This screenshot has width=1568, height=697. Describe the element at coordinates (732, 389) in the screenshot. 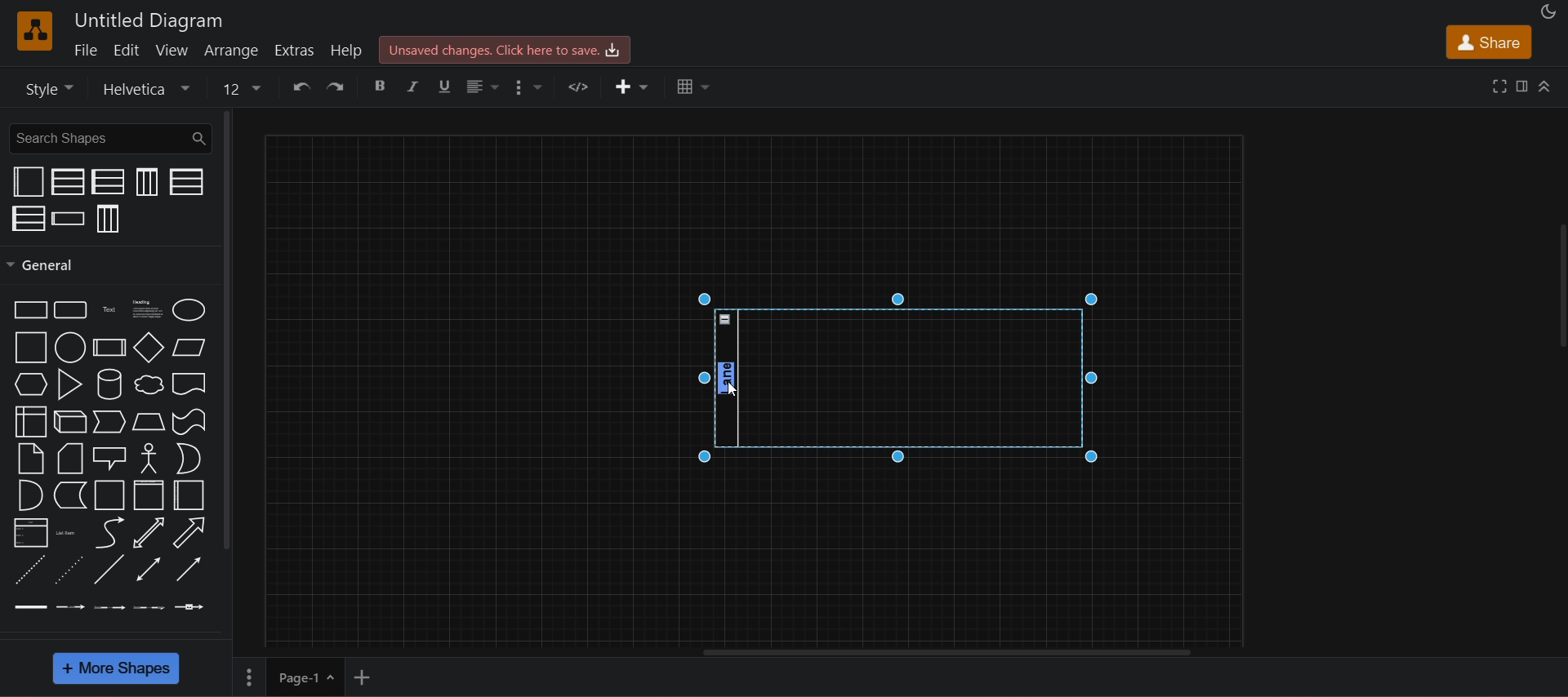

I see `cursor` at that location.